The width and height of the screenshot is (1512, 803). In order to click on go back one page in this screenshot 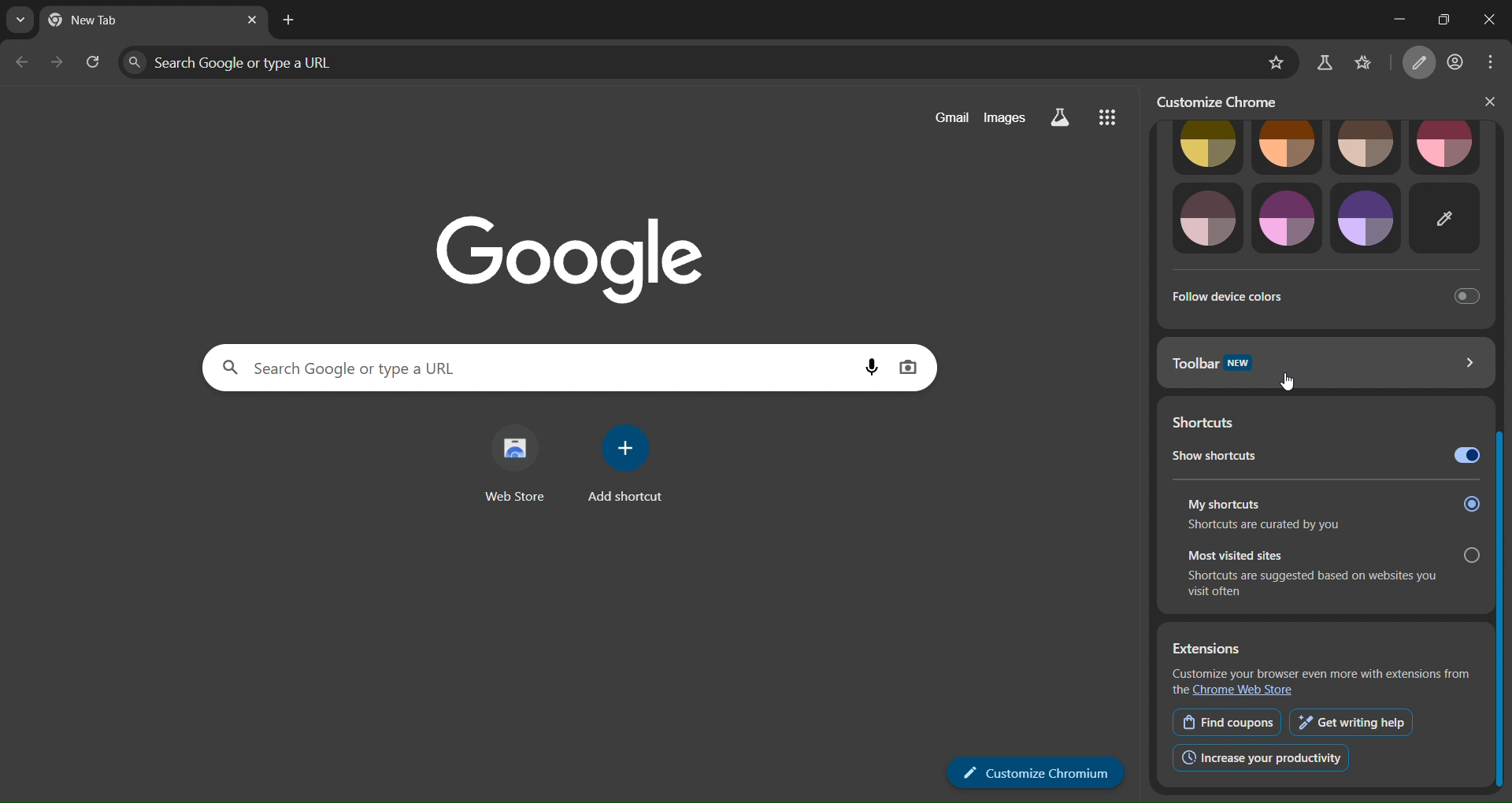, I will do `click(24, 65)`.